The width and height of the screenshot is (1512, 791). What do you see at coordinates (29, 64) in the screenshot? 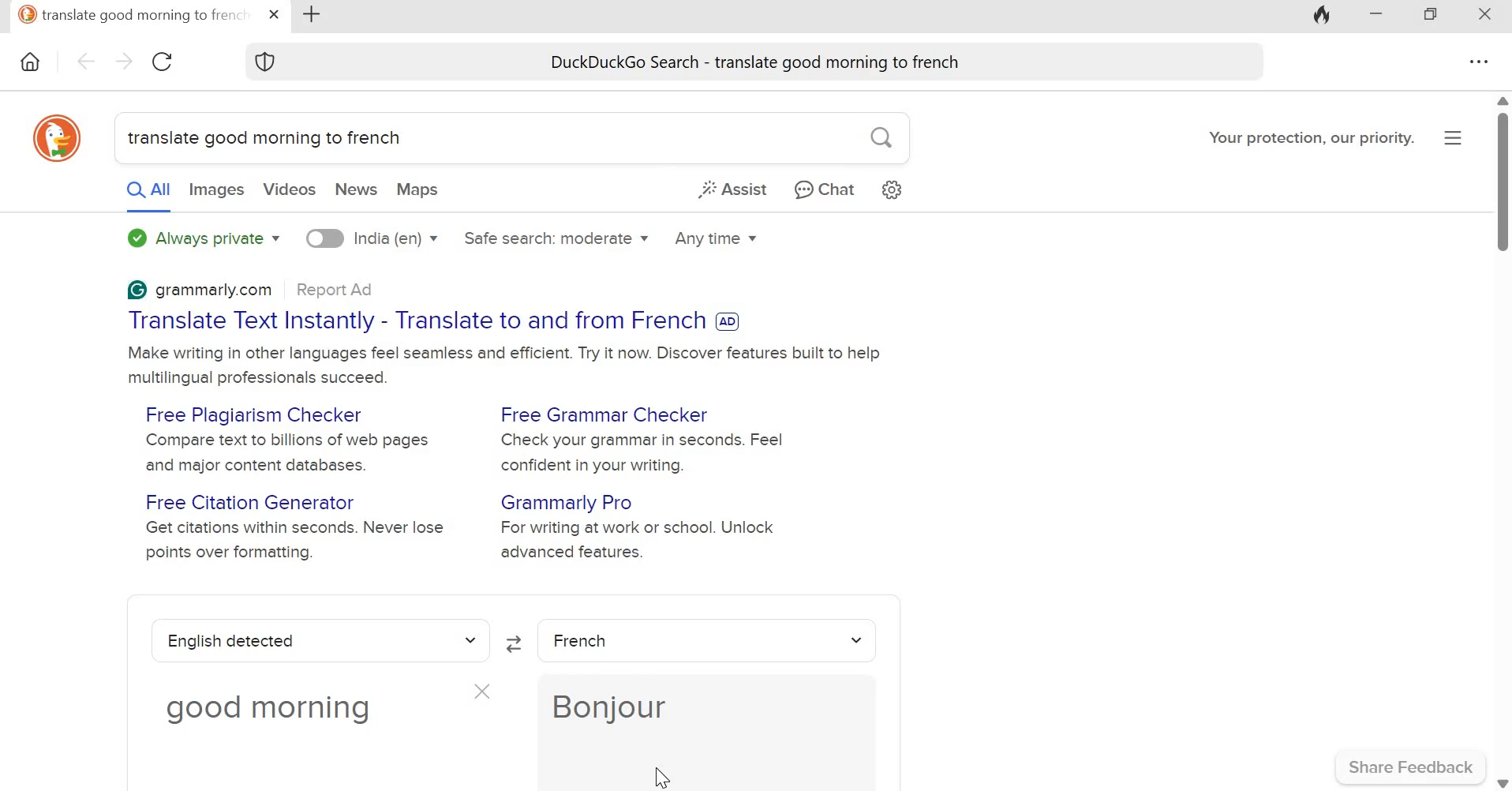
I see `Home icon` at bounding box center [29, 64].